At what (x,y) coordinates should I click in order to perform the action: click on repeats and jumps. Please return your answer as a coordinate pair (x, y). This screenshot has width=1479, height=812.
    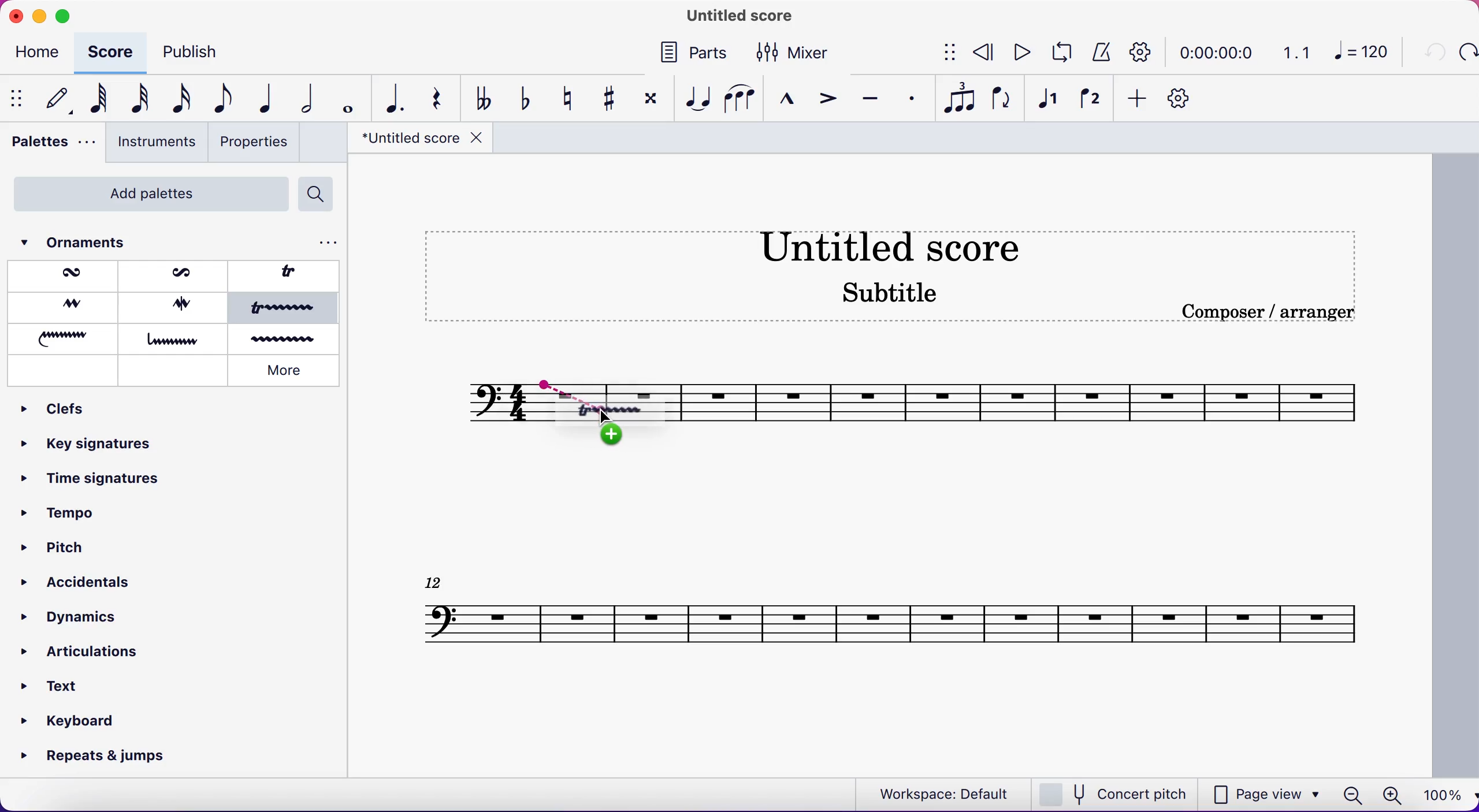
    Looking at the image, I should click on (96, 757).